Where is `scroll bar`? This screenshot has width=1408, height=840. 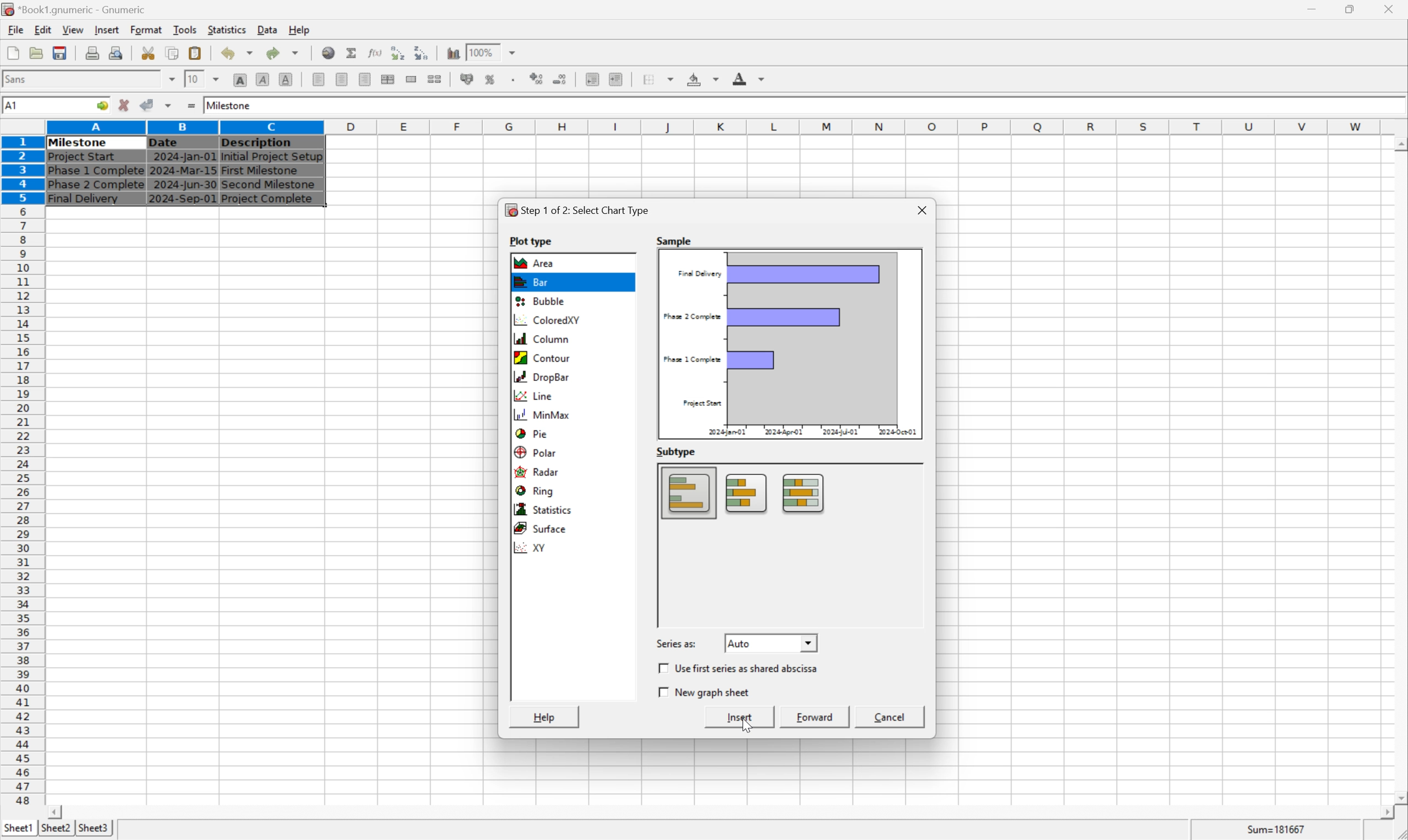 scroll bar is located at coordinates (917, 545).